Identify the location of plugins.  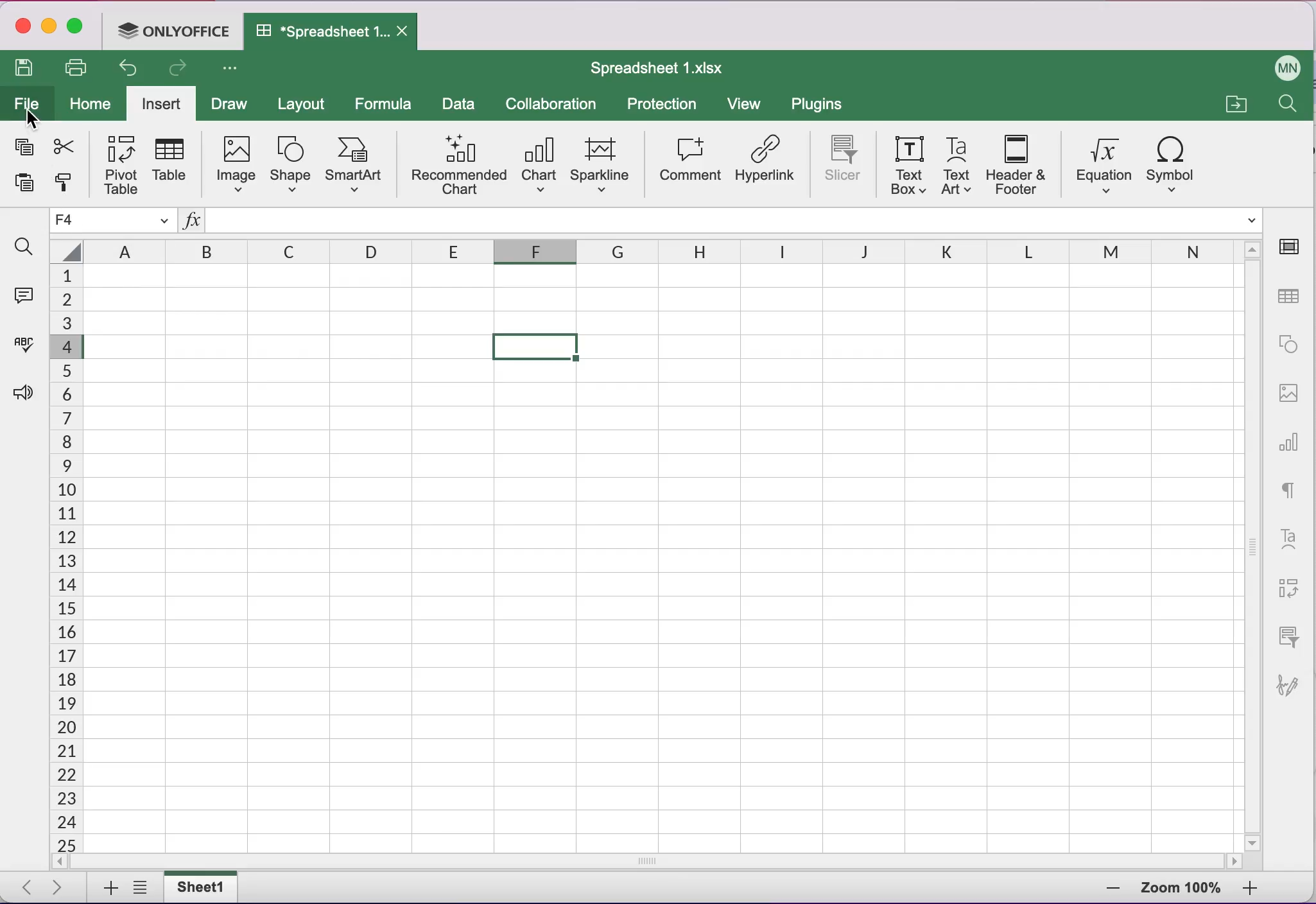
(821, 105).